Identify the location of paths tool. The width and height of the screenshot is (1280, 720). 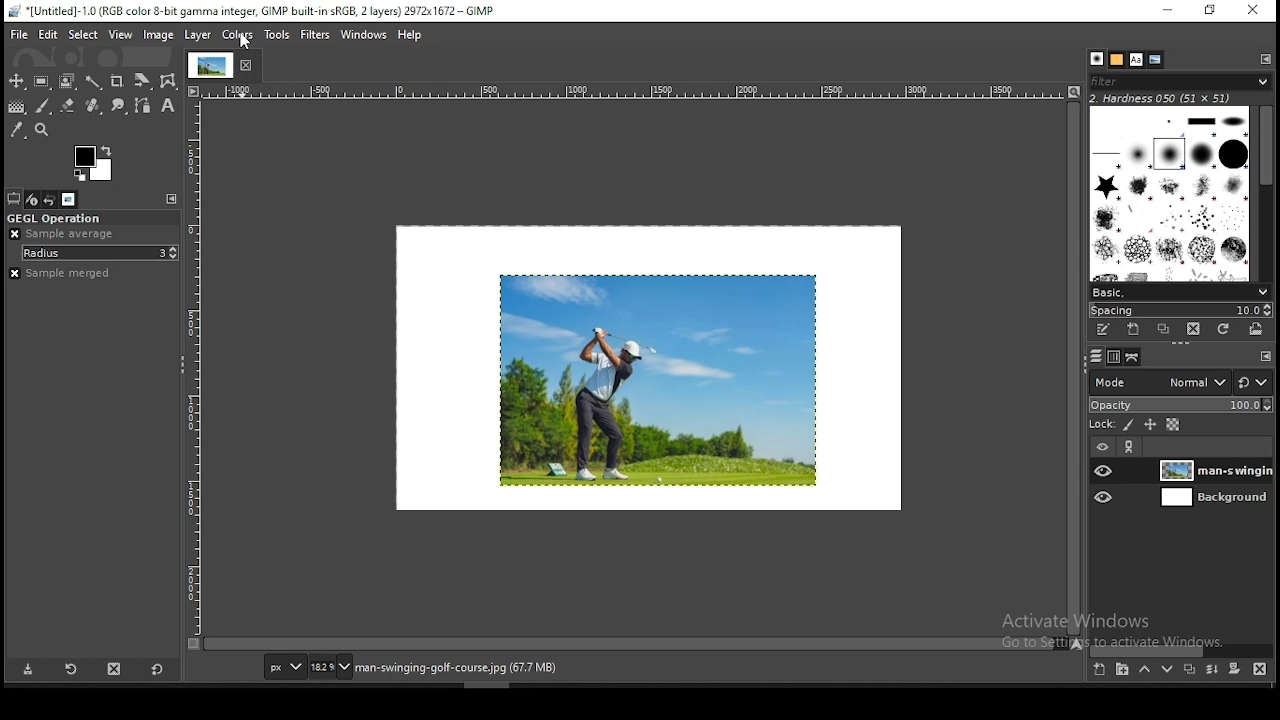
(146, 109).